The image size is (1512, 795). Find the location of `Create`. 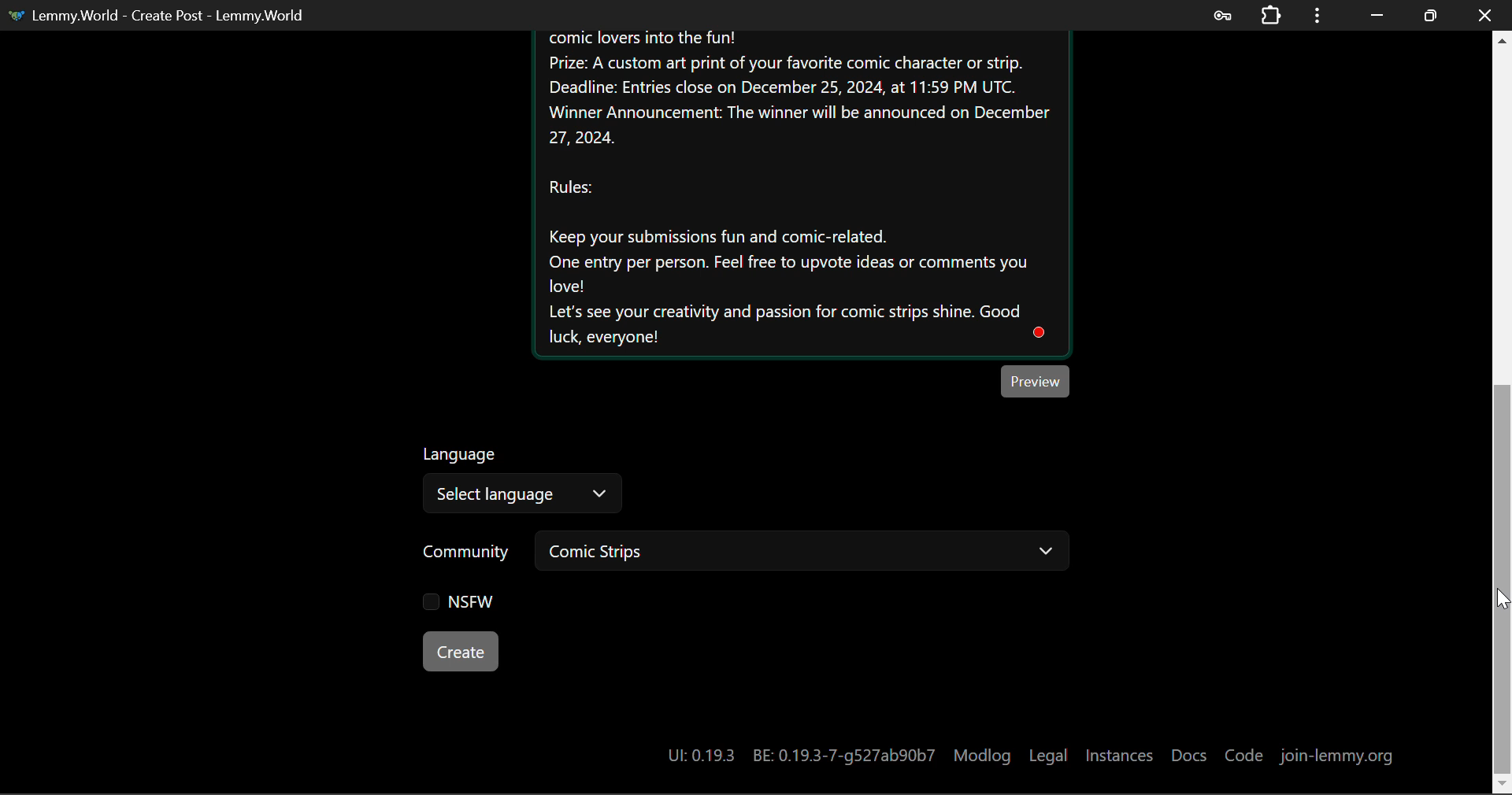

Create is located at coordinates (460, 650).